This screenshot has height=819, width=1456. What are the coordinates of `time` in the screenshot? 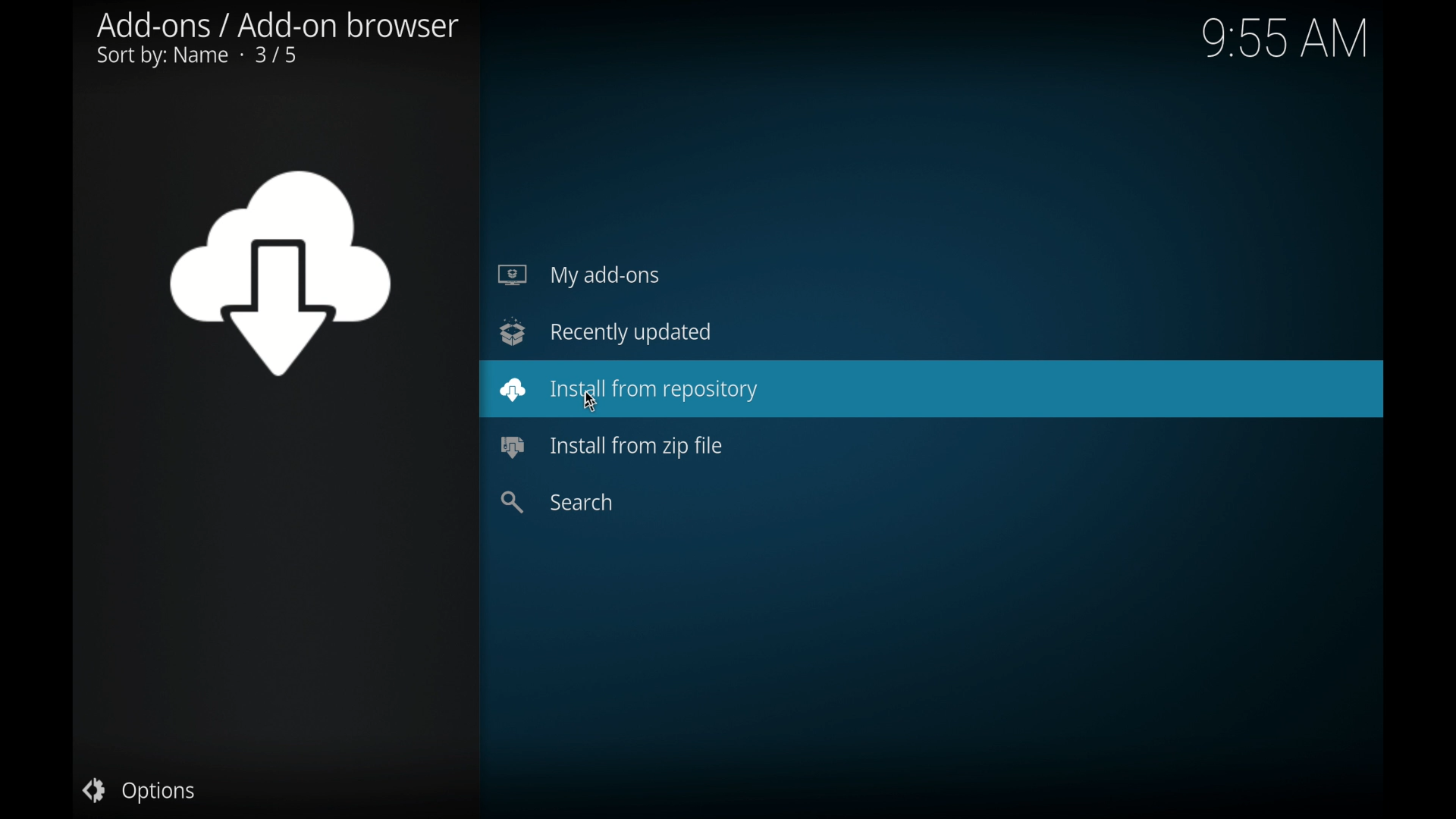 It's located at (1285, 38).